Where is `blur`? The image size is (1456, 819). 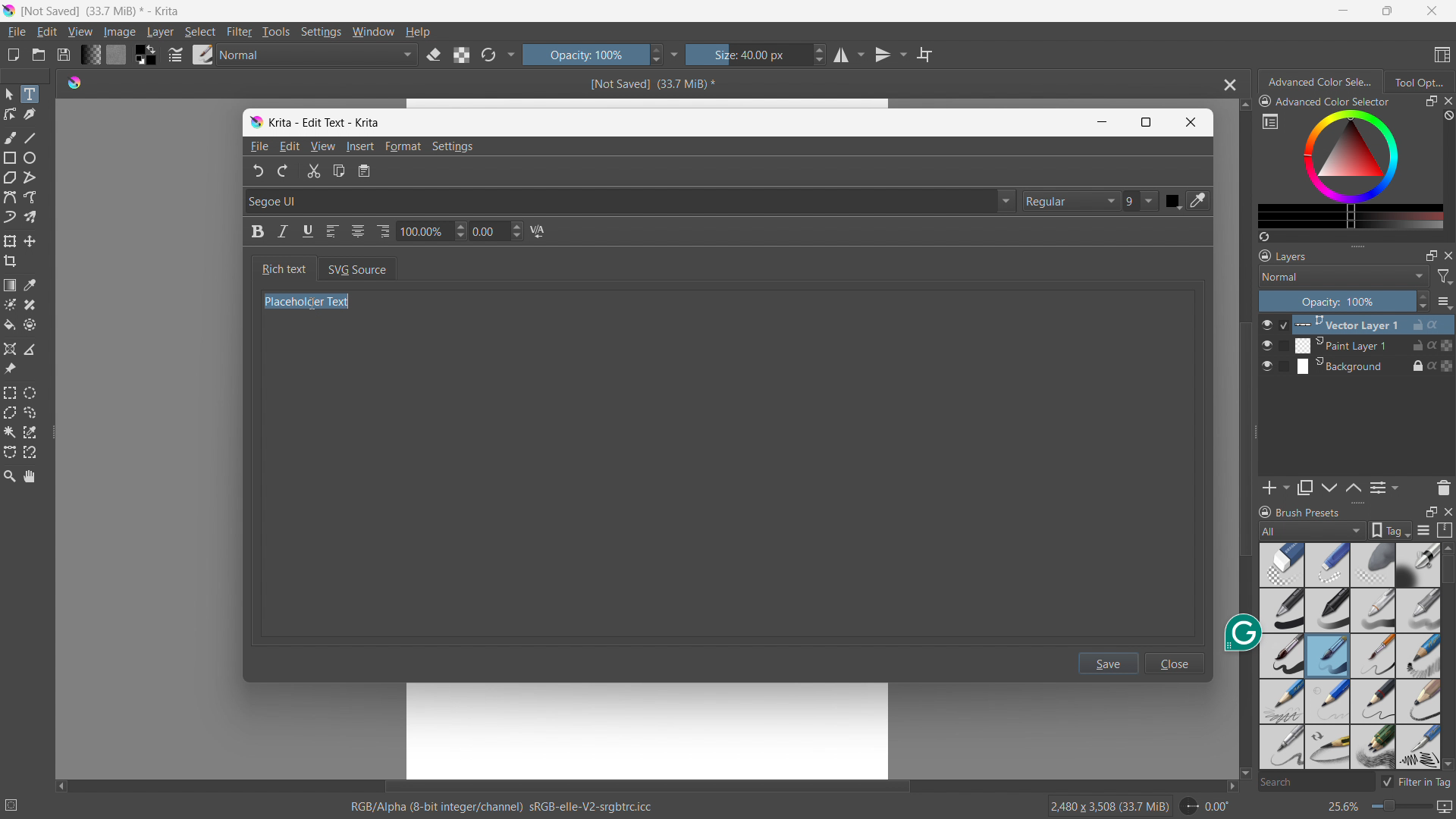
blur is located at coordinates (1372, 565).